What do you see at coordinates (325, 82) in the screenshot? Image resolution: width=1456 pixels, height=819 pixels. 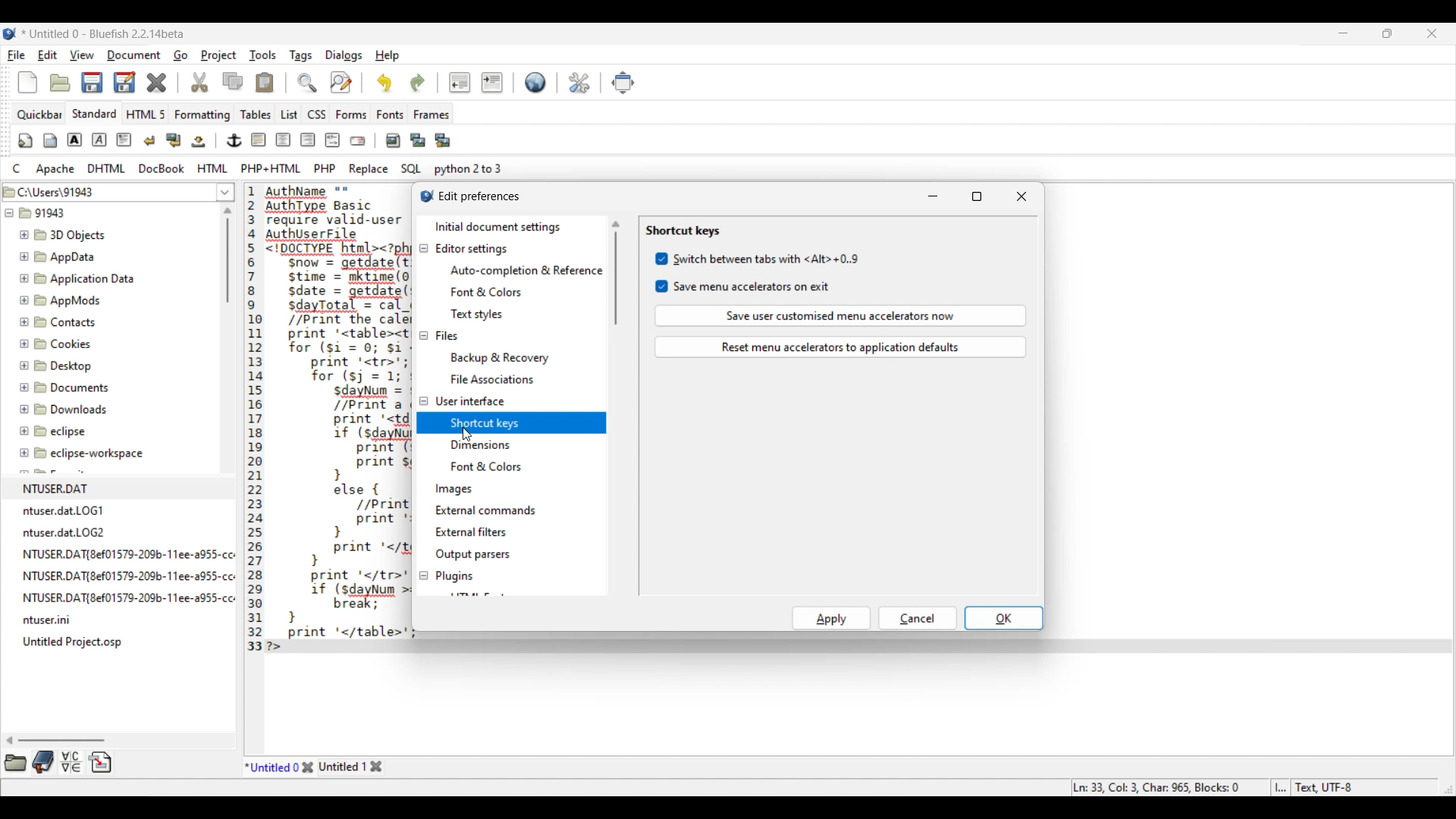 I see `Search and find` at bounding box center [325, 82].